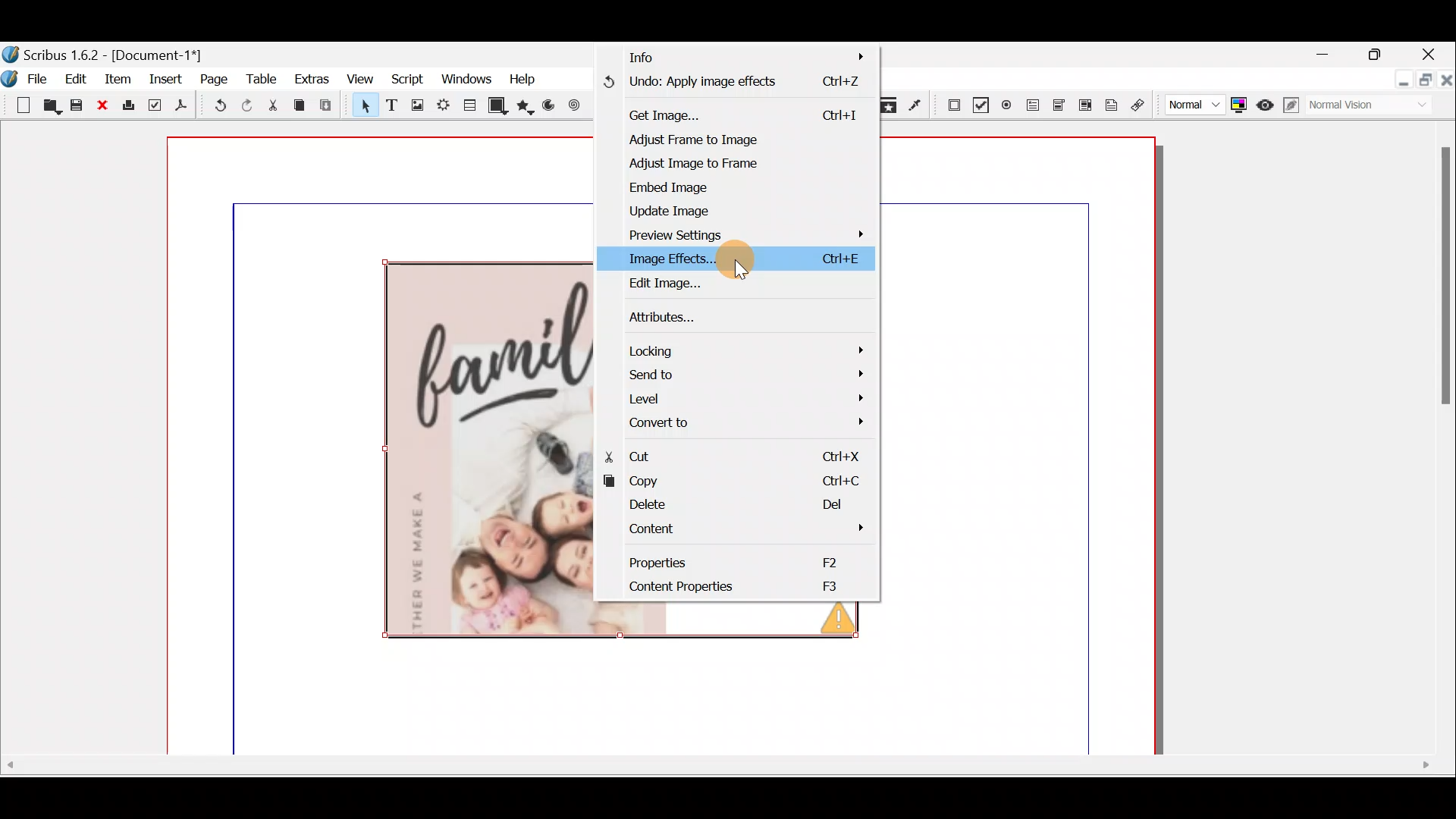 The height and width of the screenshot is (819, 1456). What do you see at coordinates (730, 86) in the screenshot?
I see `Undo` at bounding box center [730, 86].